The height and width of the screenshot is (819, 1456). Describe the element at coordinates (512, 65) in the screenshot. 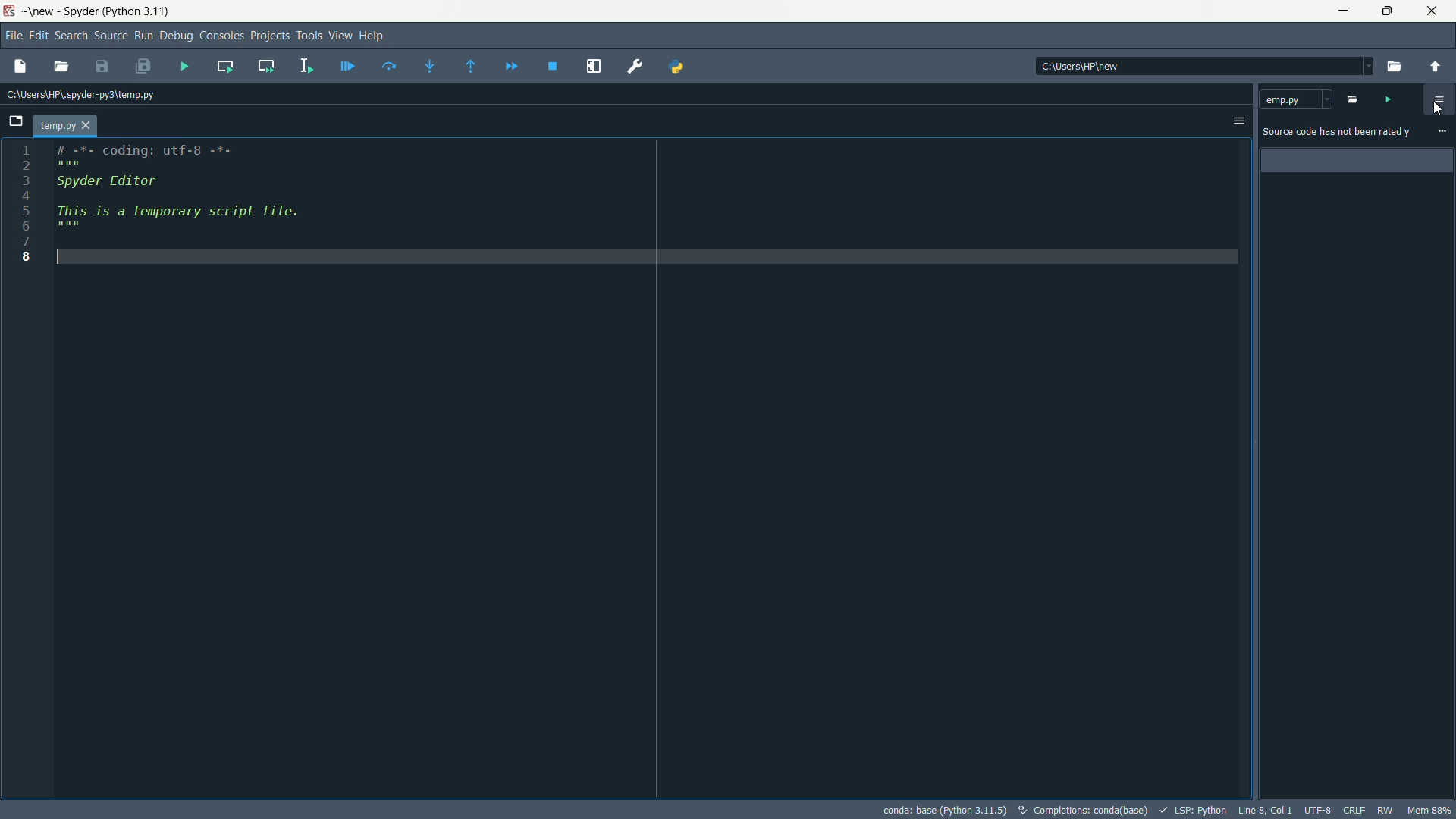

I see `continue execution until next breakpoint` at that location.